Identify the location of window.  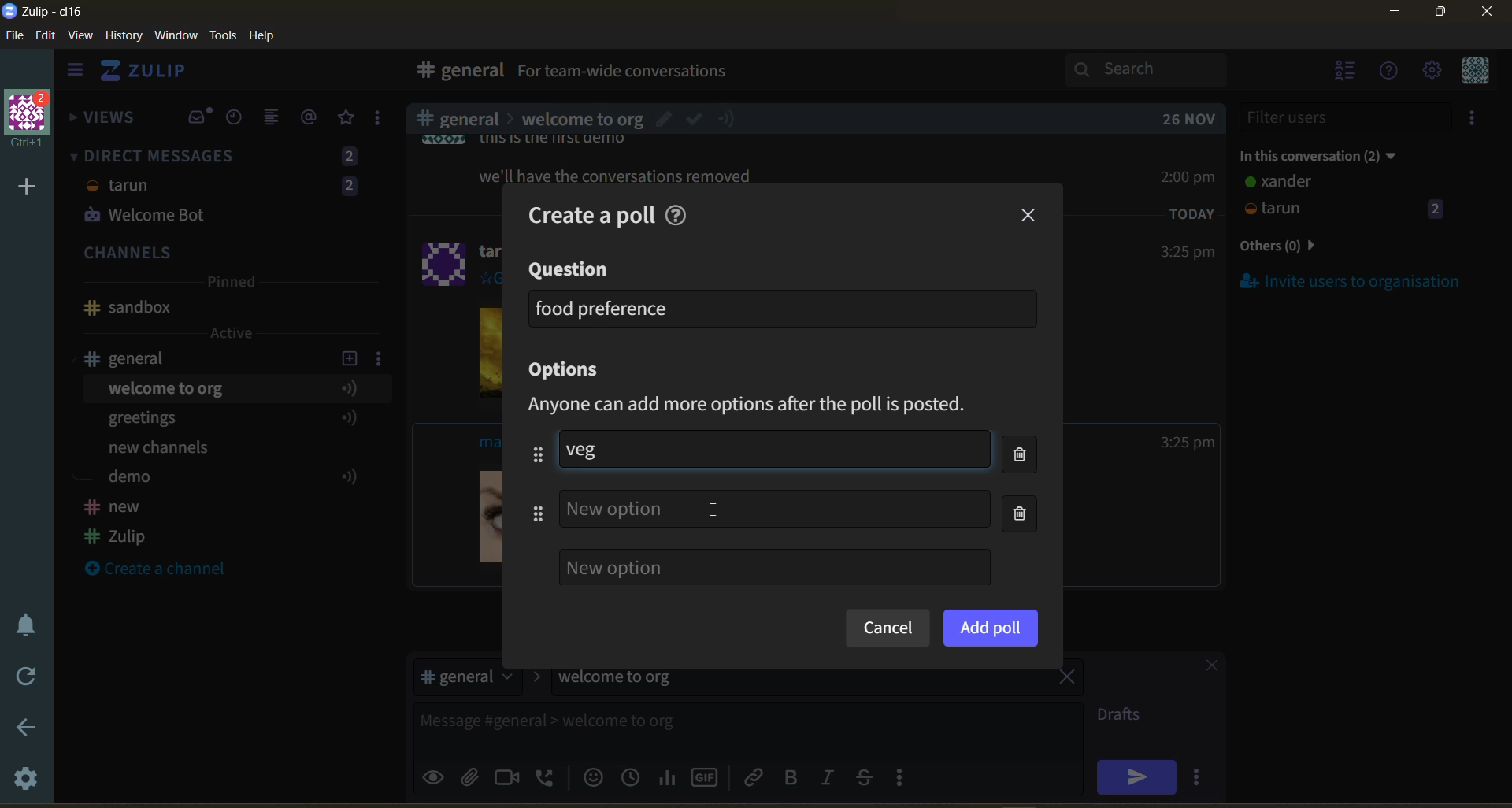
(174, 36).